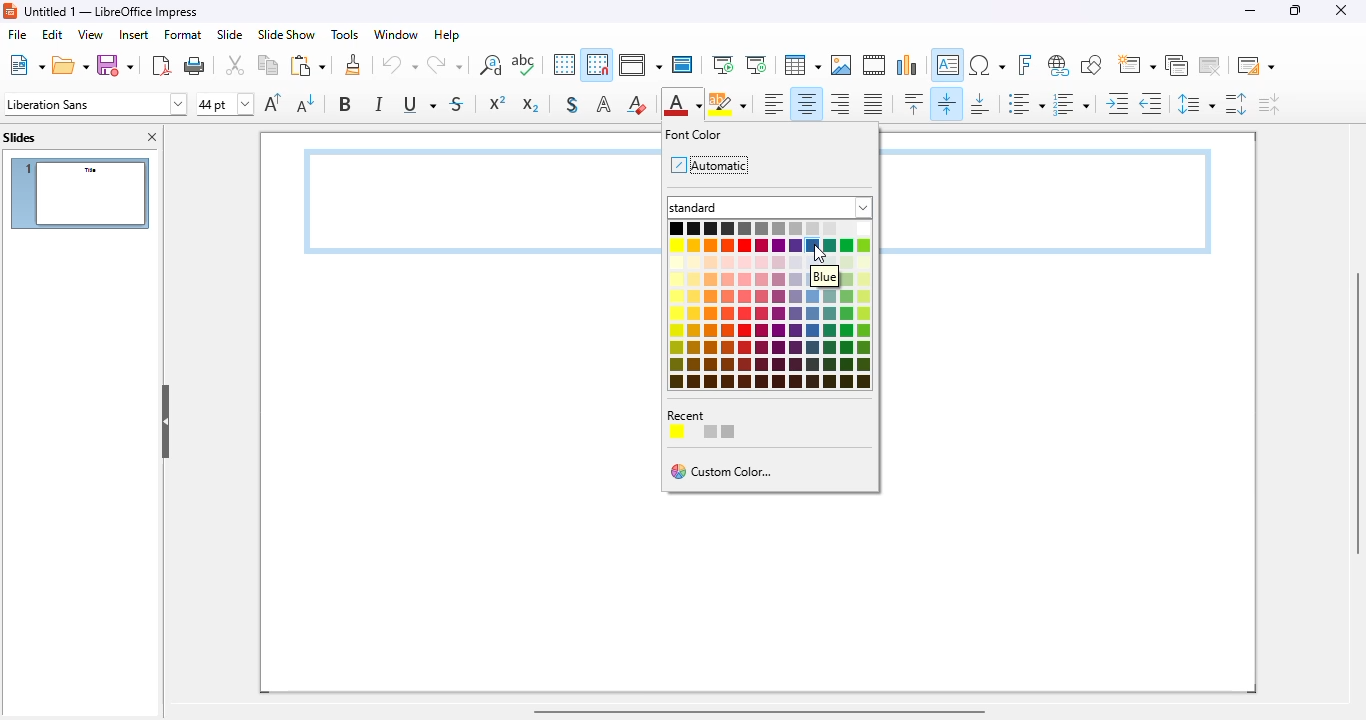 This screenshot has width=1366, height=720. What do you see at coordinates (682, 65) in the screenshot?
I see `master slide` at bounding box center [682, 65].